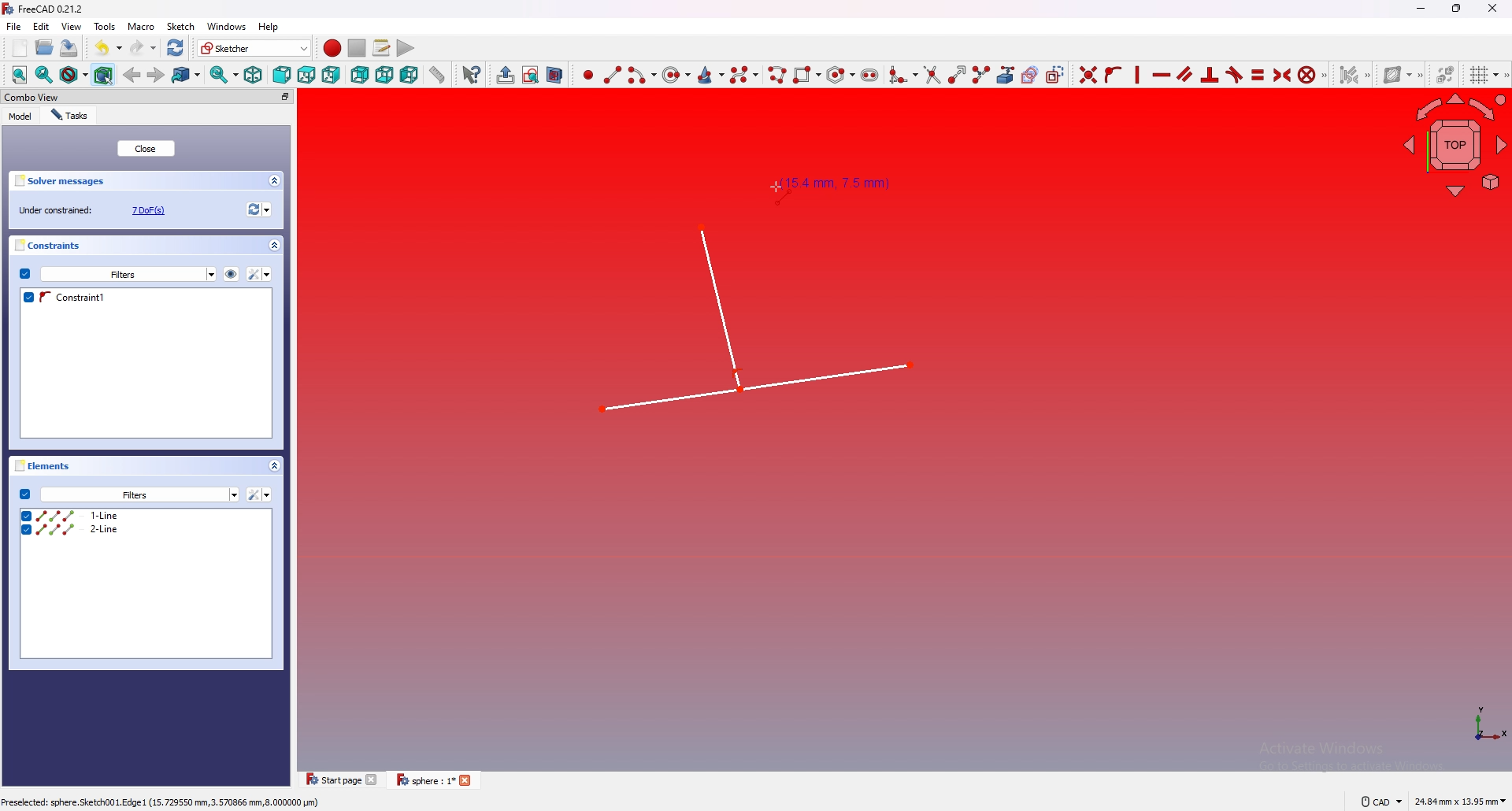 The width and height of the screenshot is (1512, 811). Describe the element at coordinates (222, 76) in the screenshot. I see `Sync view` at that location.